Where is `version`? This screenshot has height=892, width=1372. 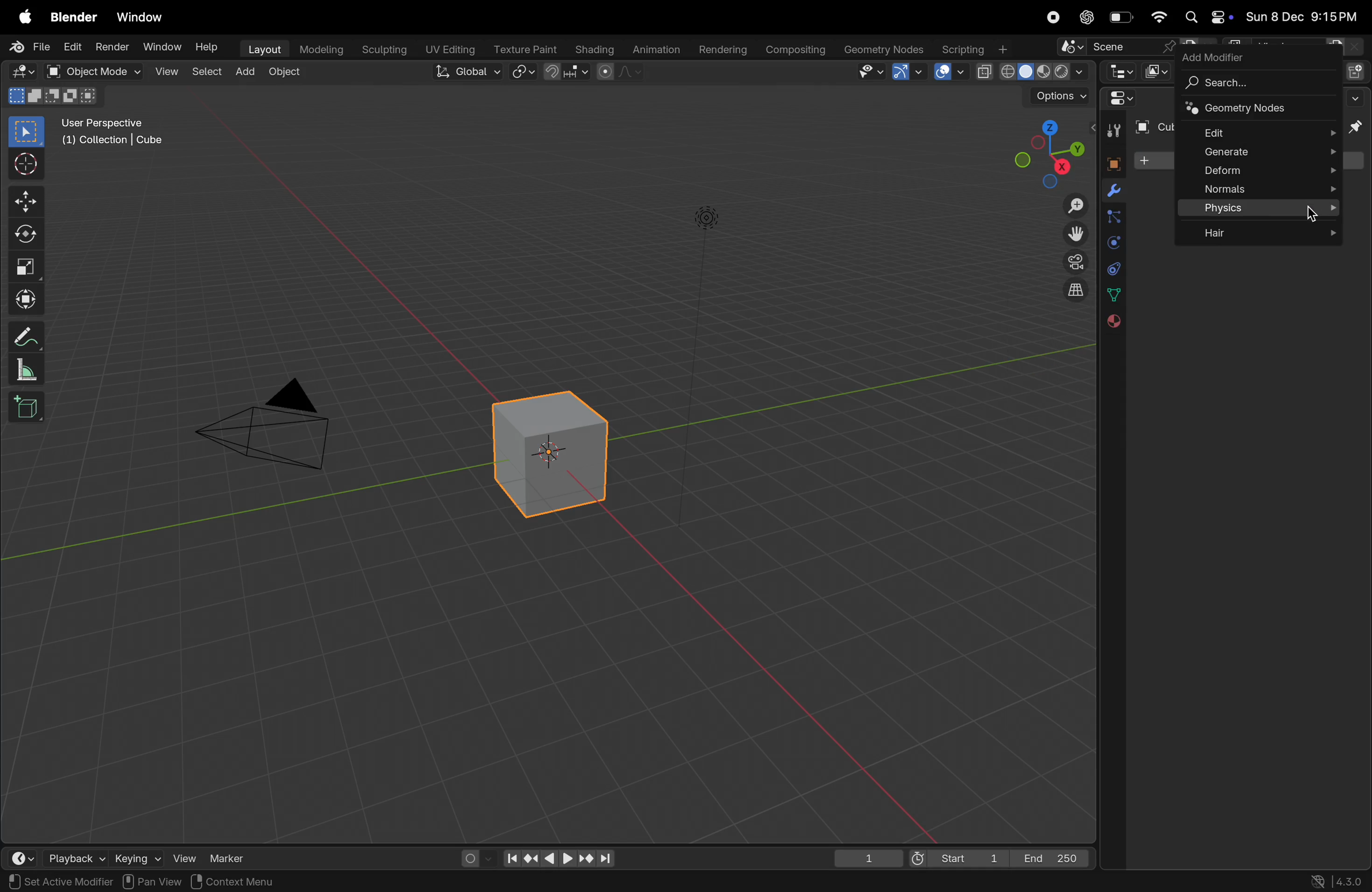 version is located at coordinates (1338, 880).